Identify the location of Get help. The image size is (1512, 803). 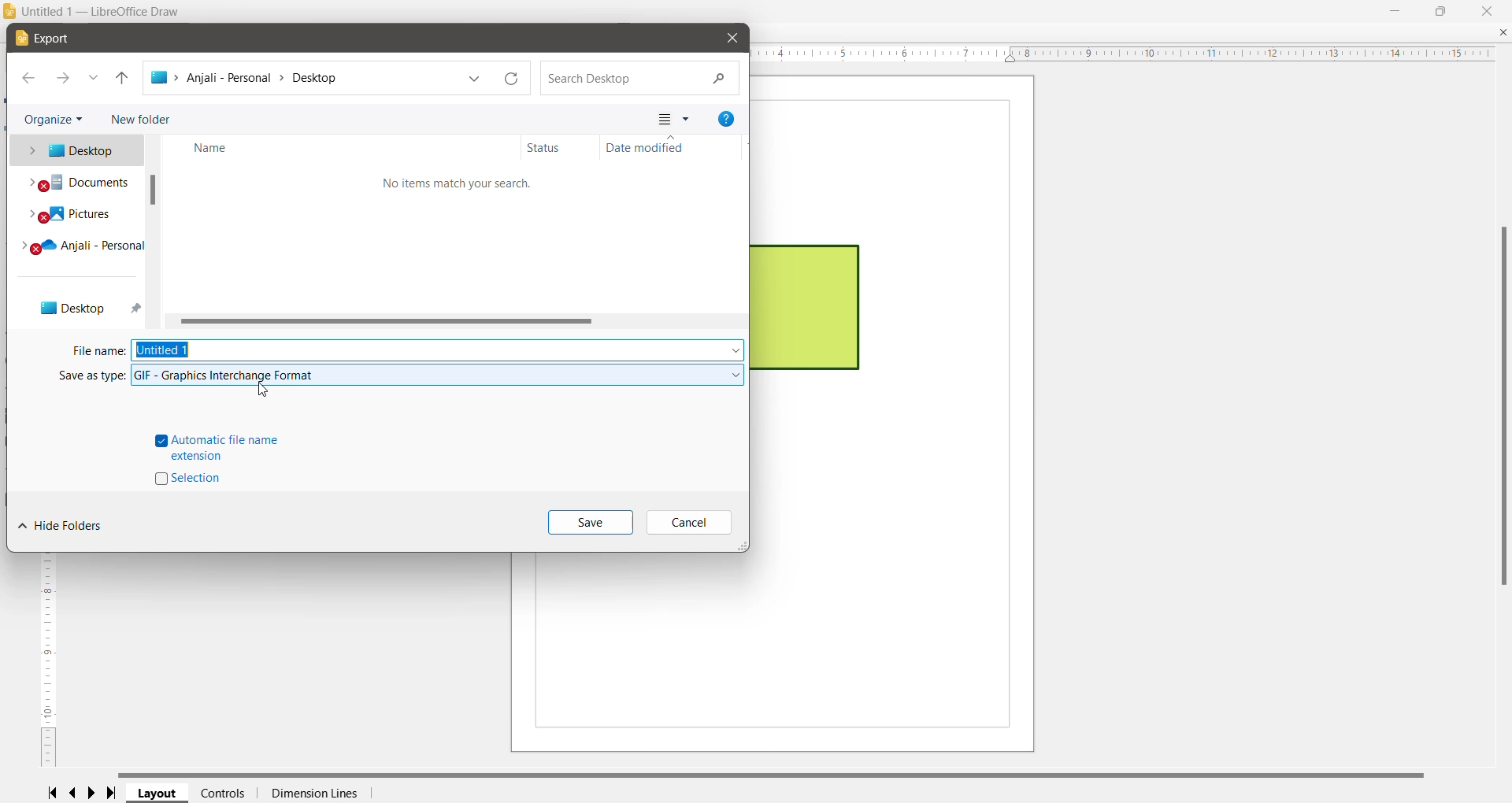
(726, 119).